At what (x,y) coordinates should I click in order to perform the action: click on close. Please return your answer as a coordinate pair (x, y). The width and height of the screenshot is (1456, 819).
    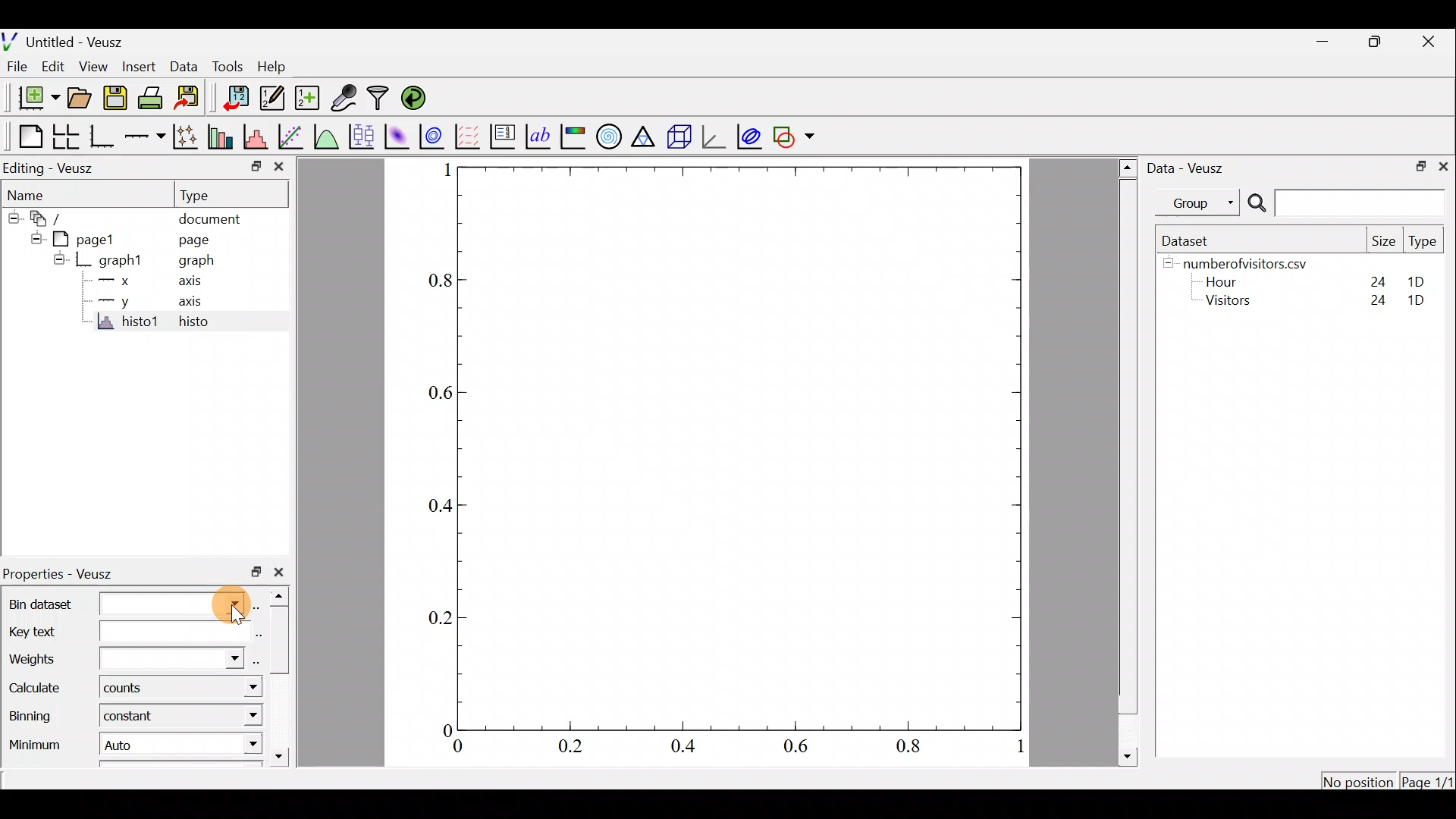
    Looking at the image, I should click on (279, 575).